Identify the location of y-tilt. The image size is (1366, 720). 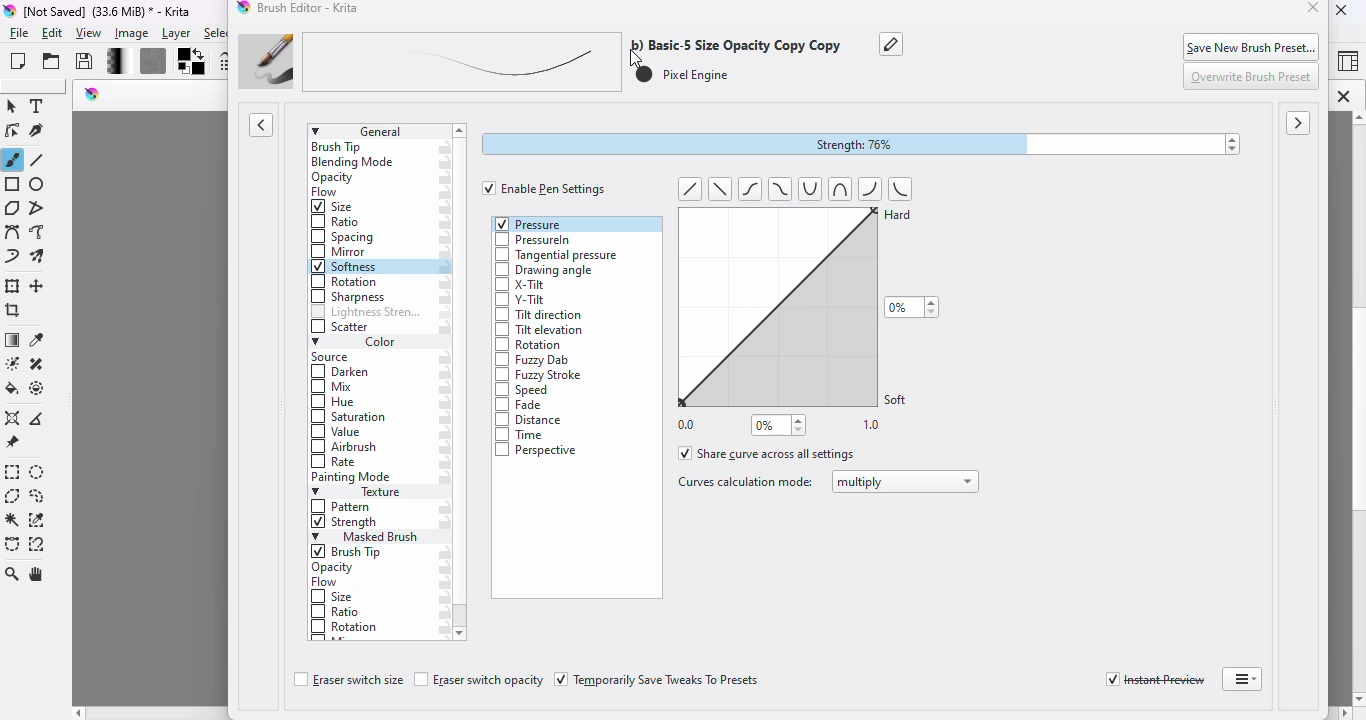
(520, 300).